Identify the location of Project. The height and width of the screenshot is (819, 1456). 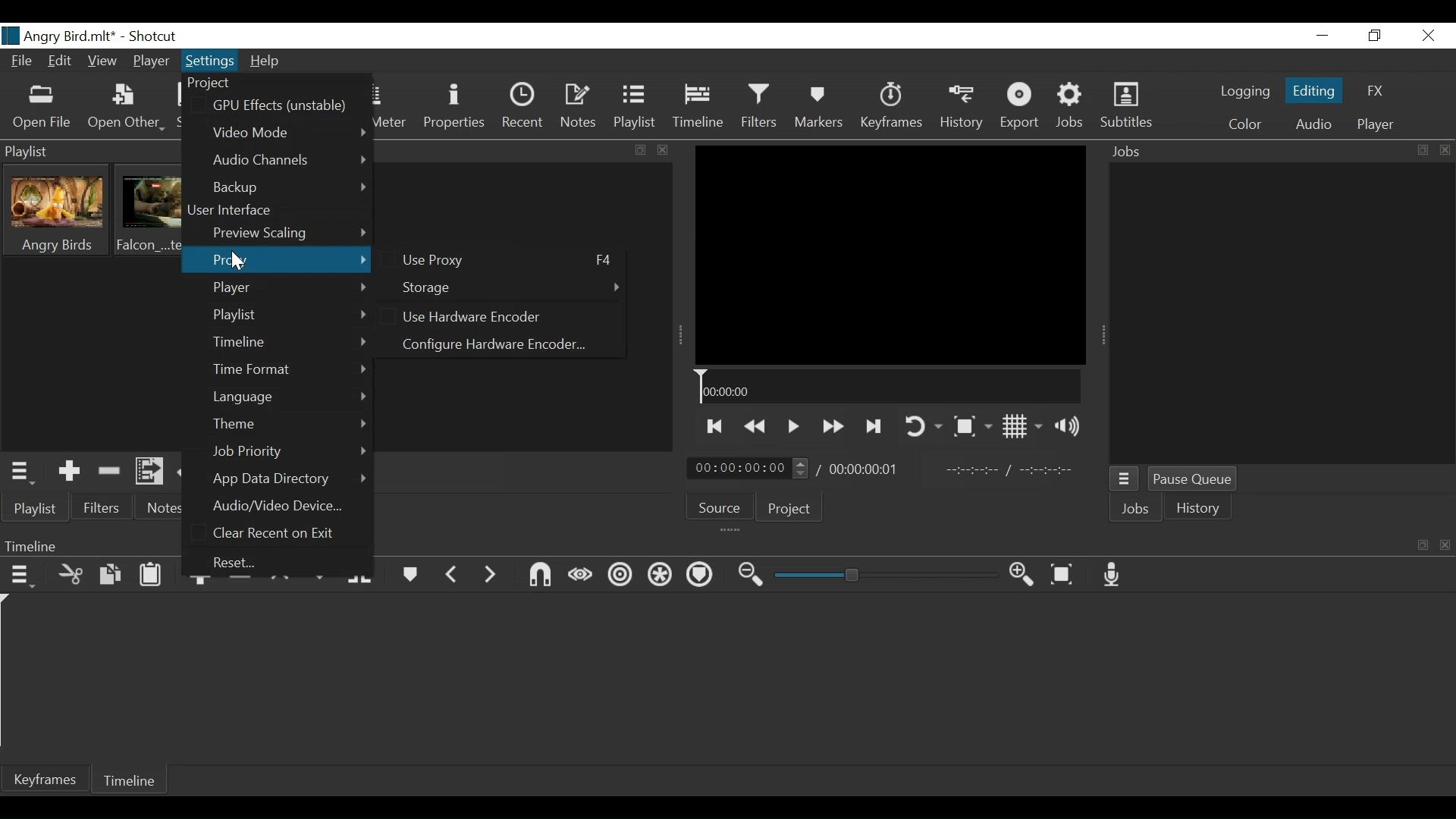
(218, 83).